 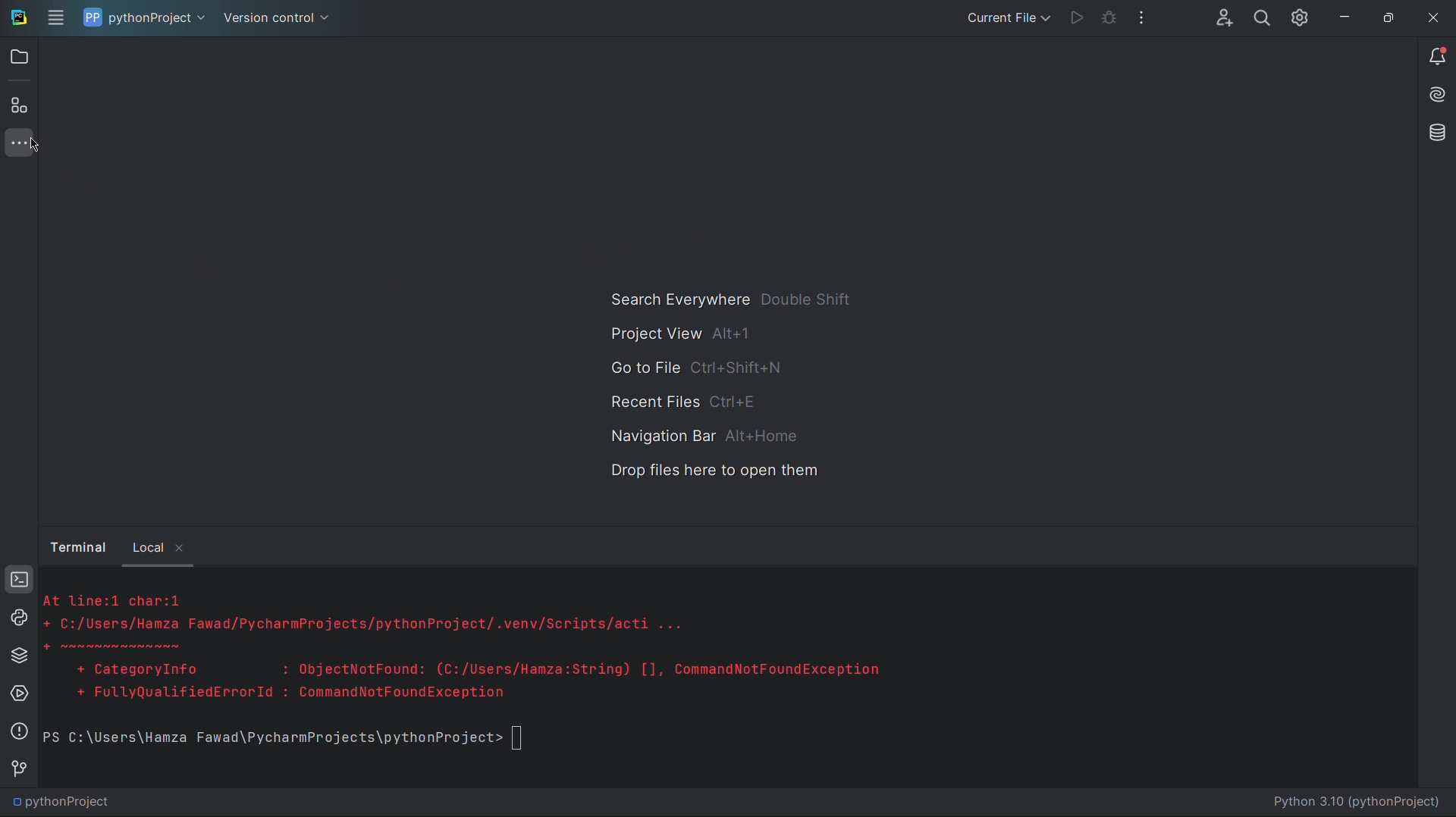 What do you see at coordinates (1260, 17) in the screenshot?
I see `Search` at bounding box center [1260, 17].